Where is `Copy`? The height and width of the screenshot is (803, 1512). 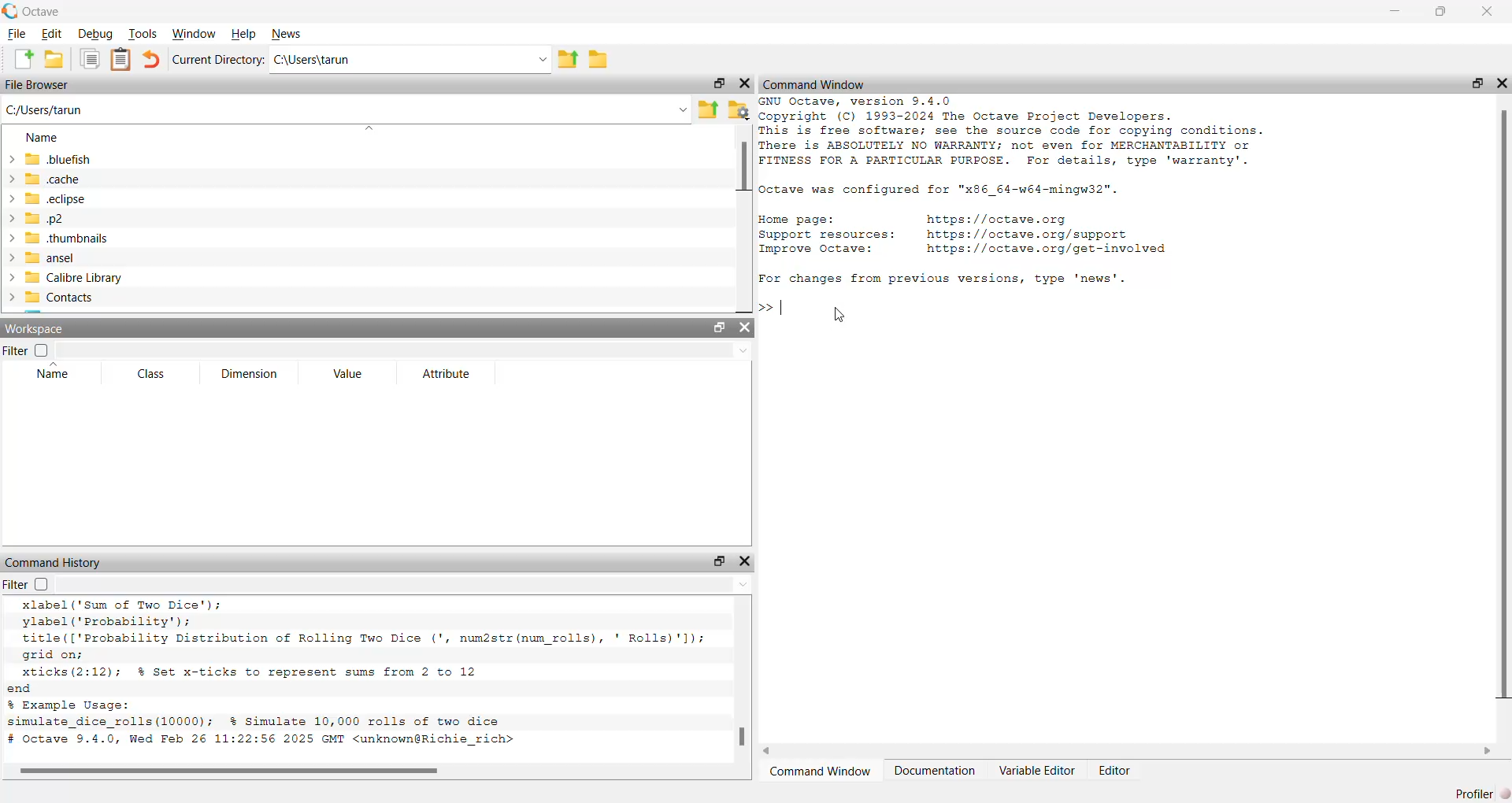
Copy is located at coordinates (89, 58).